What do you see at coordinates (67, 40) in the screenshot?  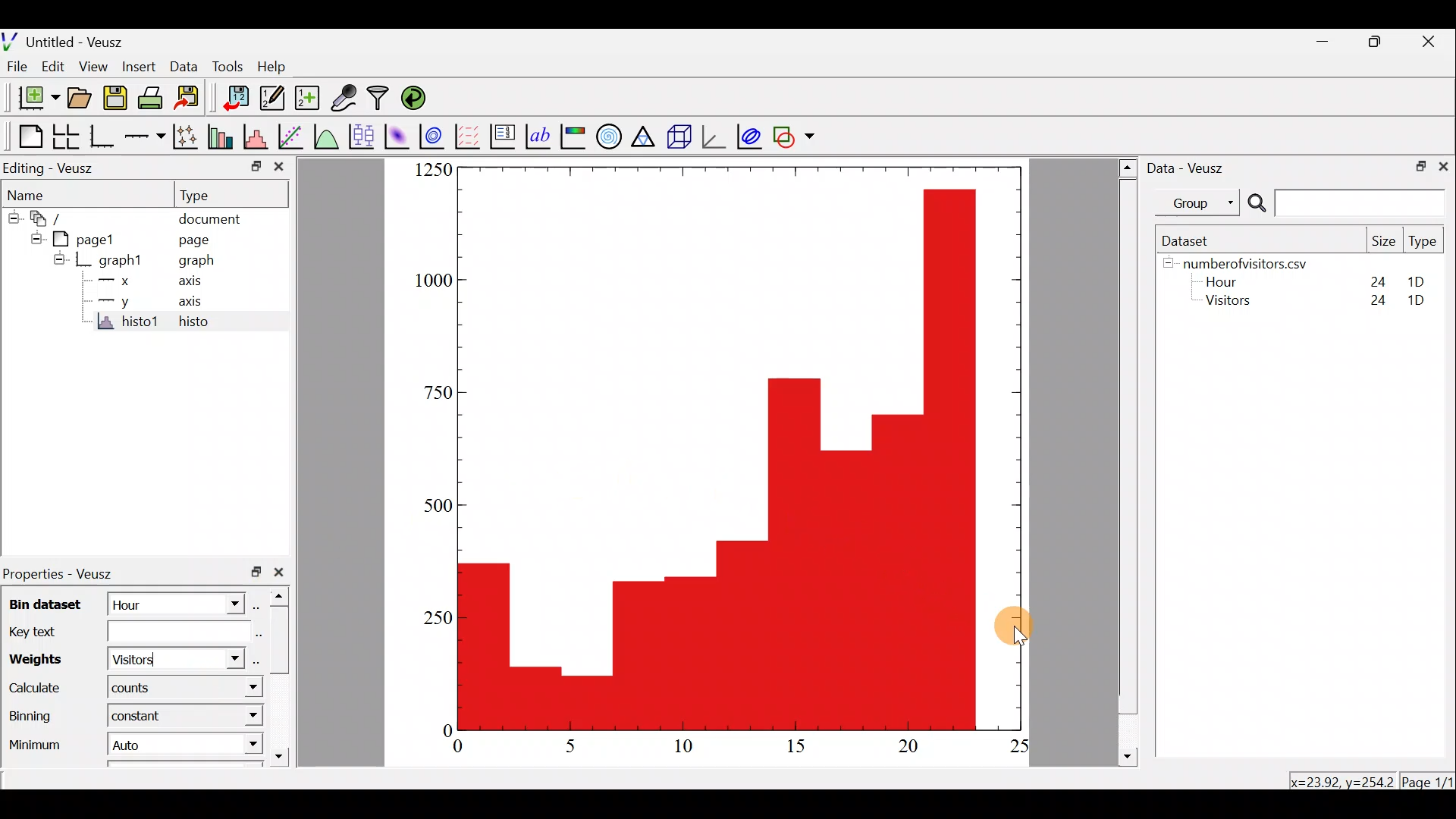 I see `Untitled - Veusz` at bounding box center [67, 40].